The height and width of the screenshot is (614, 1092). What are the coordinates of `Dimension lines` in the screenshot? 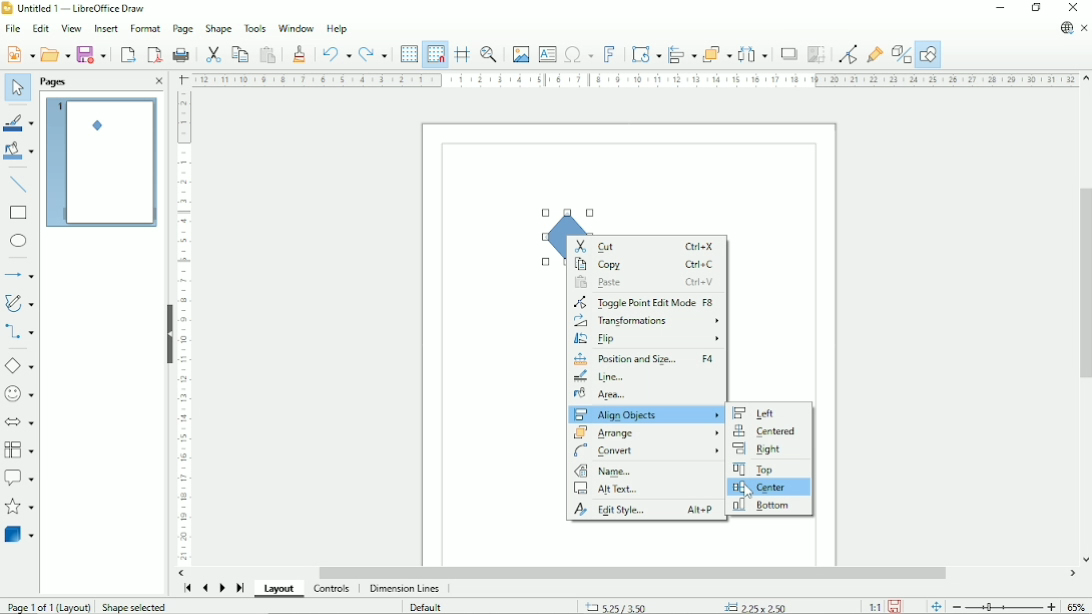 It's located at (406, 589).